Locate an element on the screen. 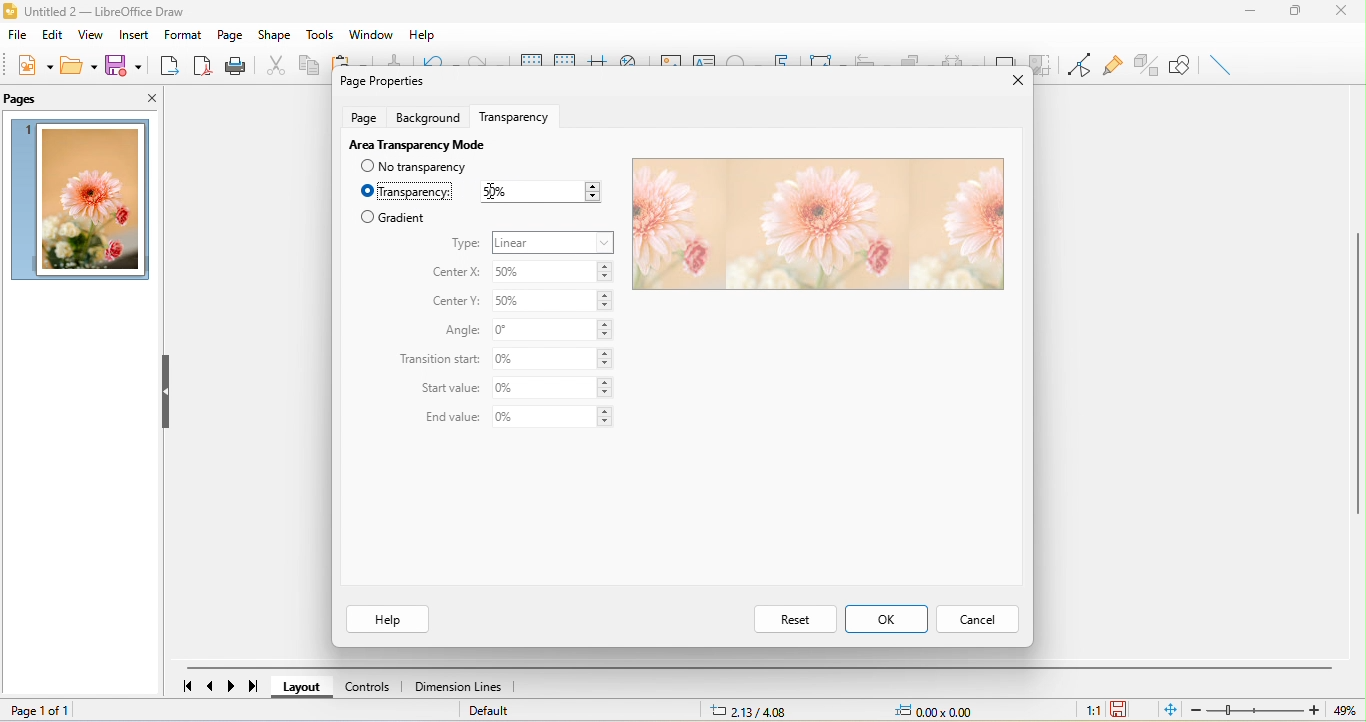 This screenshot has height=722, width=1366. minimize is located at coordinates (1258, 13).